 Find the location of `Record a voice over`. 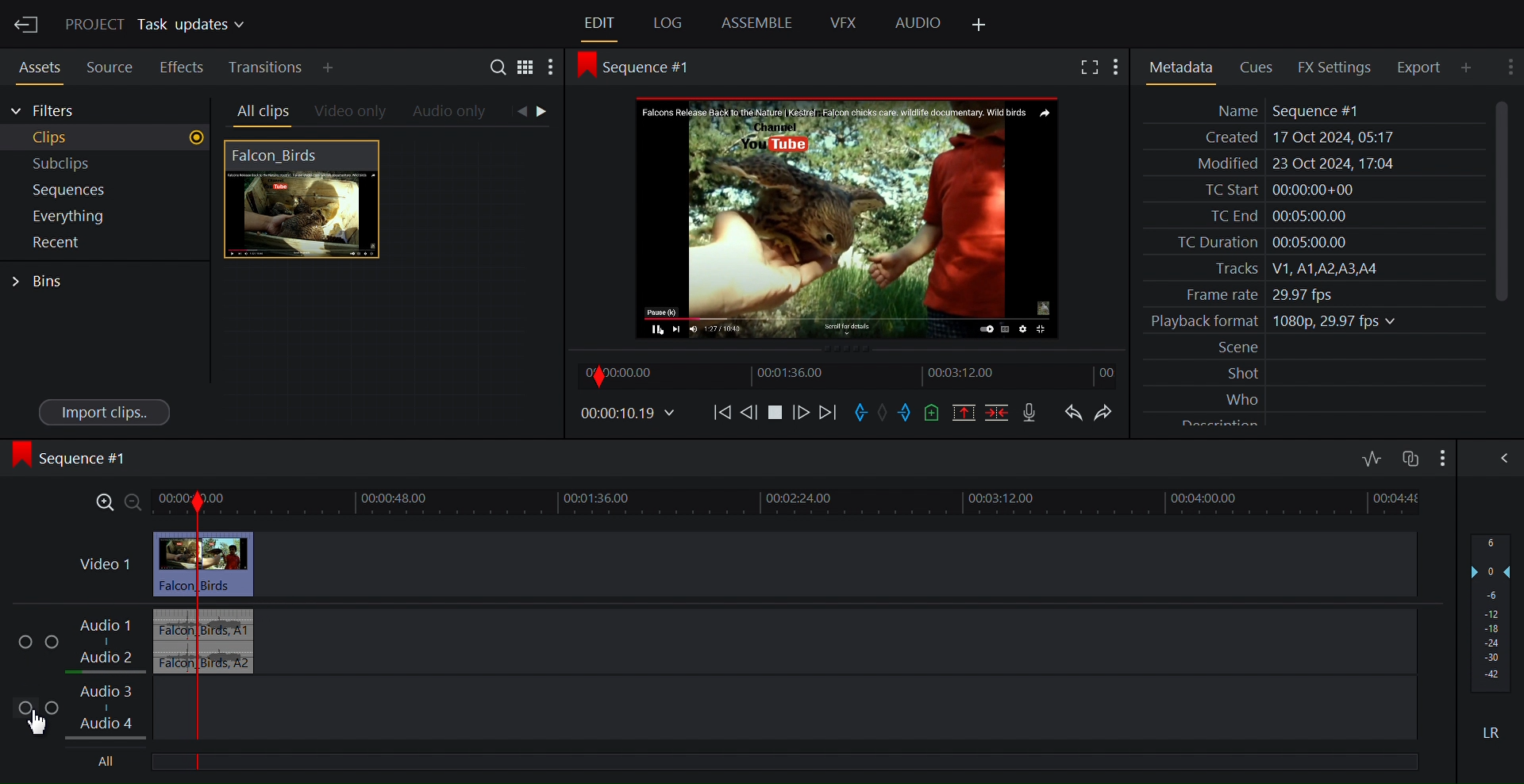

Record a voice over is located at coordinates (1031, 413).